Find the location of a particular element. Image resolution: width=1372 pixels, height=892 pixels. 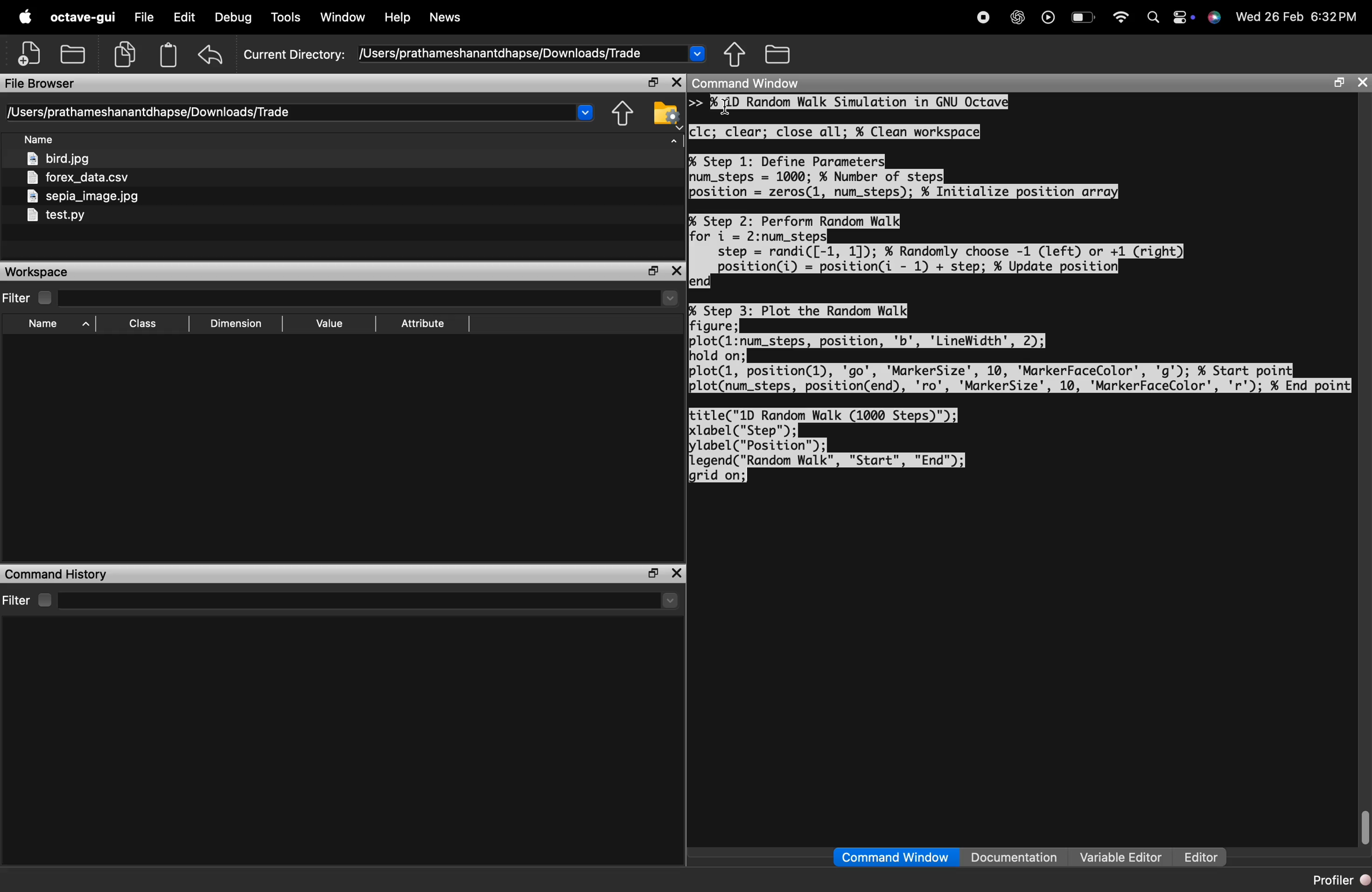

maximize is located at coordinates (651, 83).